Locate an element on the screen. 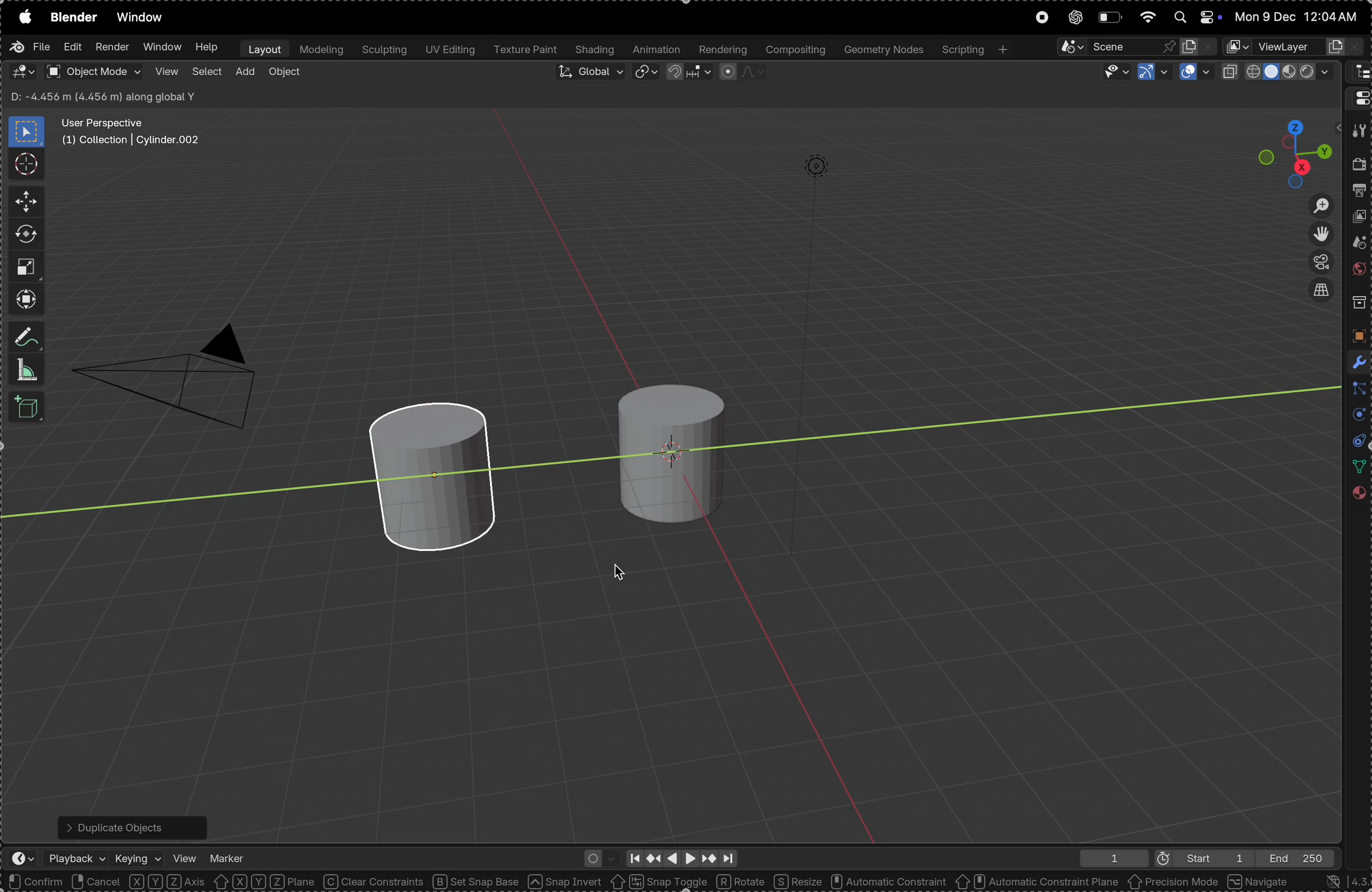 Image resolution: width=1372 pixels, height=892 pixels. apple widgets is located at coordinates (1193, 17).